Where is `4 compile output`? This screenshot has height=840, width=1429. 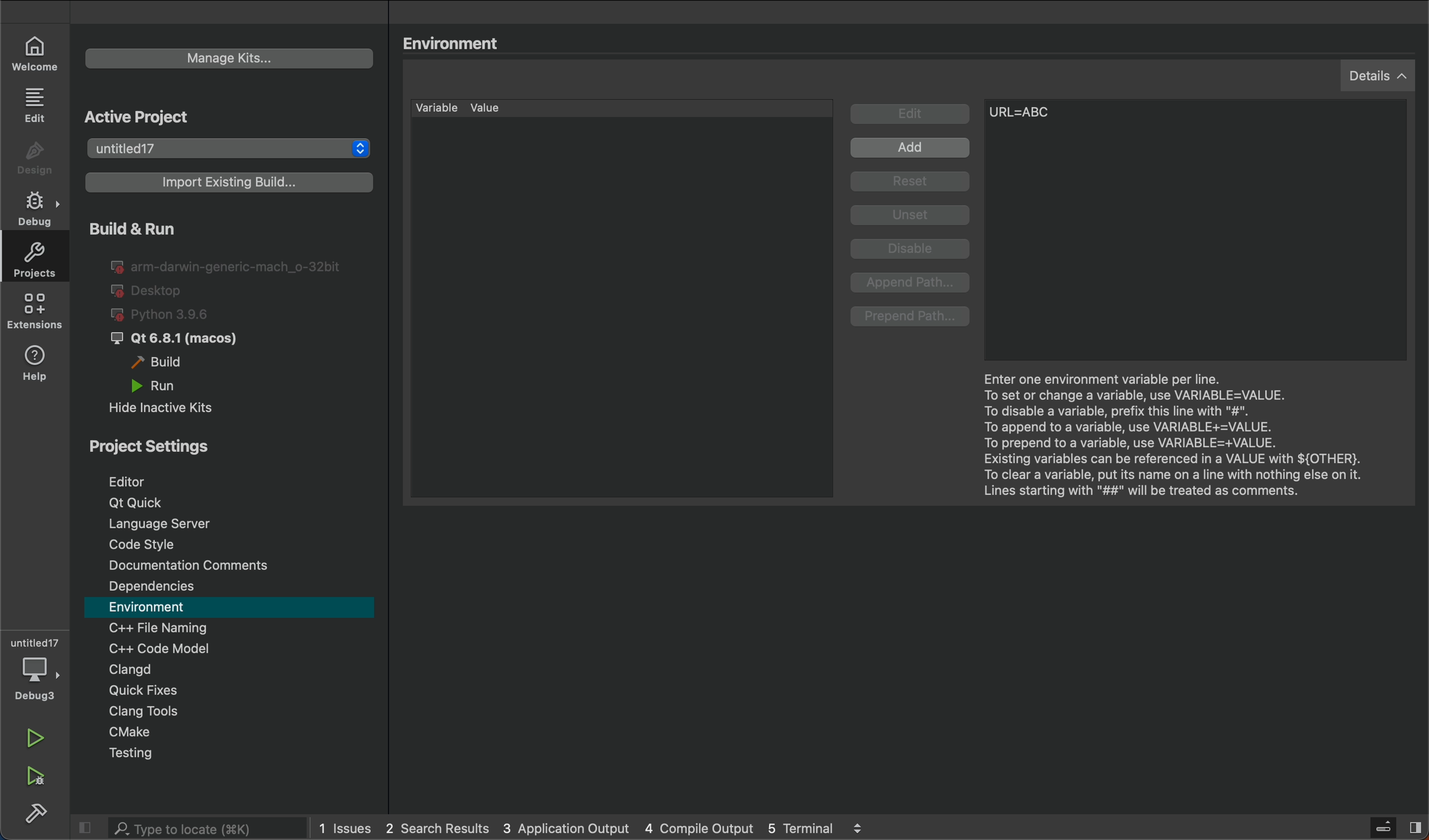 4 compile output is located at coordinates (699, 827).